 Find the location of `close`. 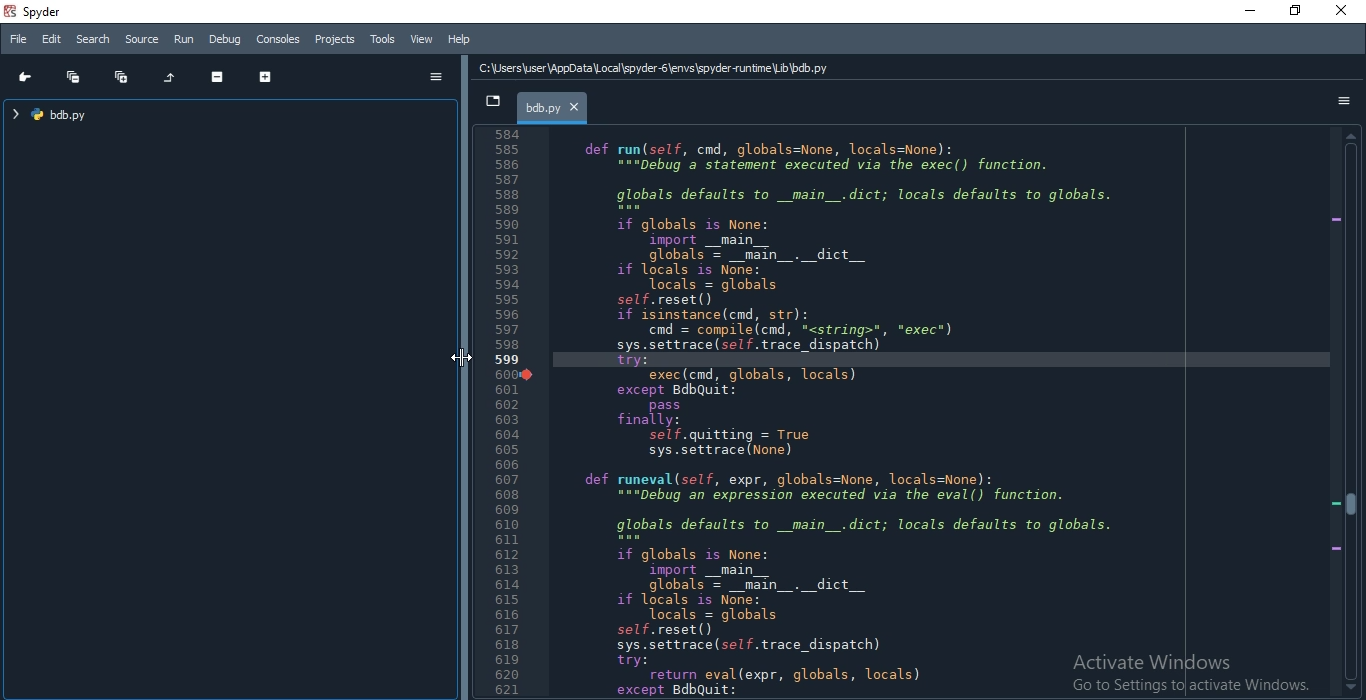

close is located at coordinates (1342, 12).